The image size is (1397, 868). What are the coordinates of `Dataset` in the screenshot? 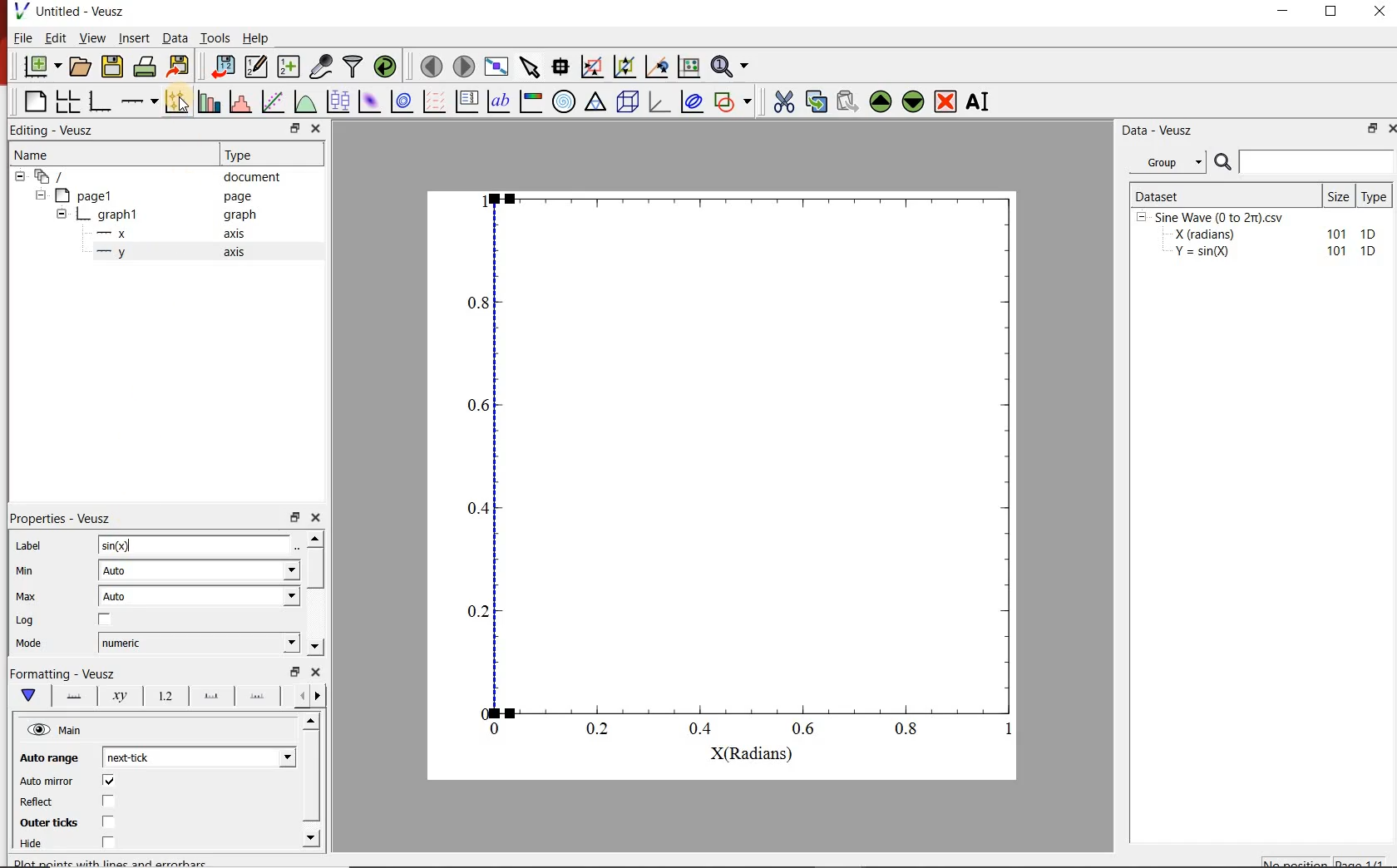 It's located at (1224, 195).